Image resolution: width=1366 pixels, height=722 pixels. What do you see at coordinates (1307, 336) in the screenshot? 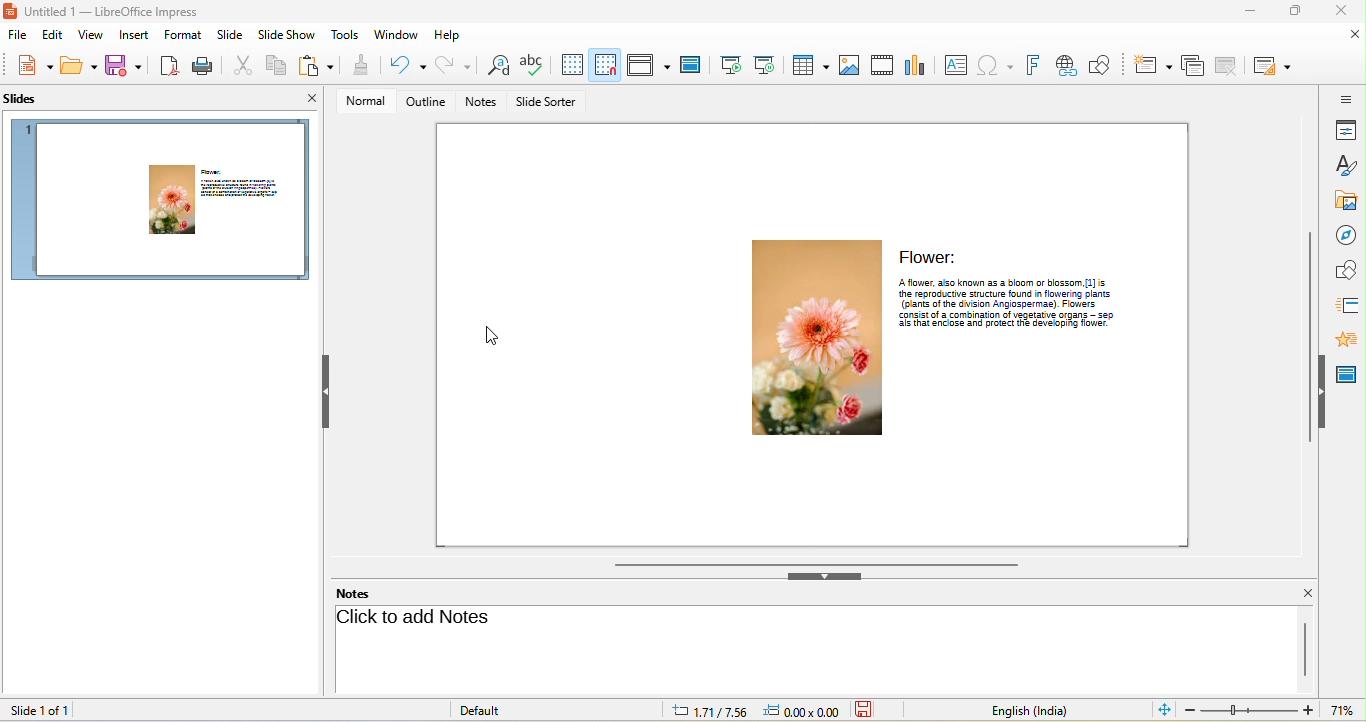
I see `vertical scroll bar` at bounding box center [1307, 336].